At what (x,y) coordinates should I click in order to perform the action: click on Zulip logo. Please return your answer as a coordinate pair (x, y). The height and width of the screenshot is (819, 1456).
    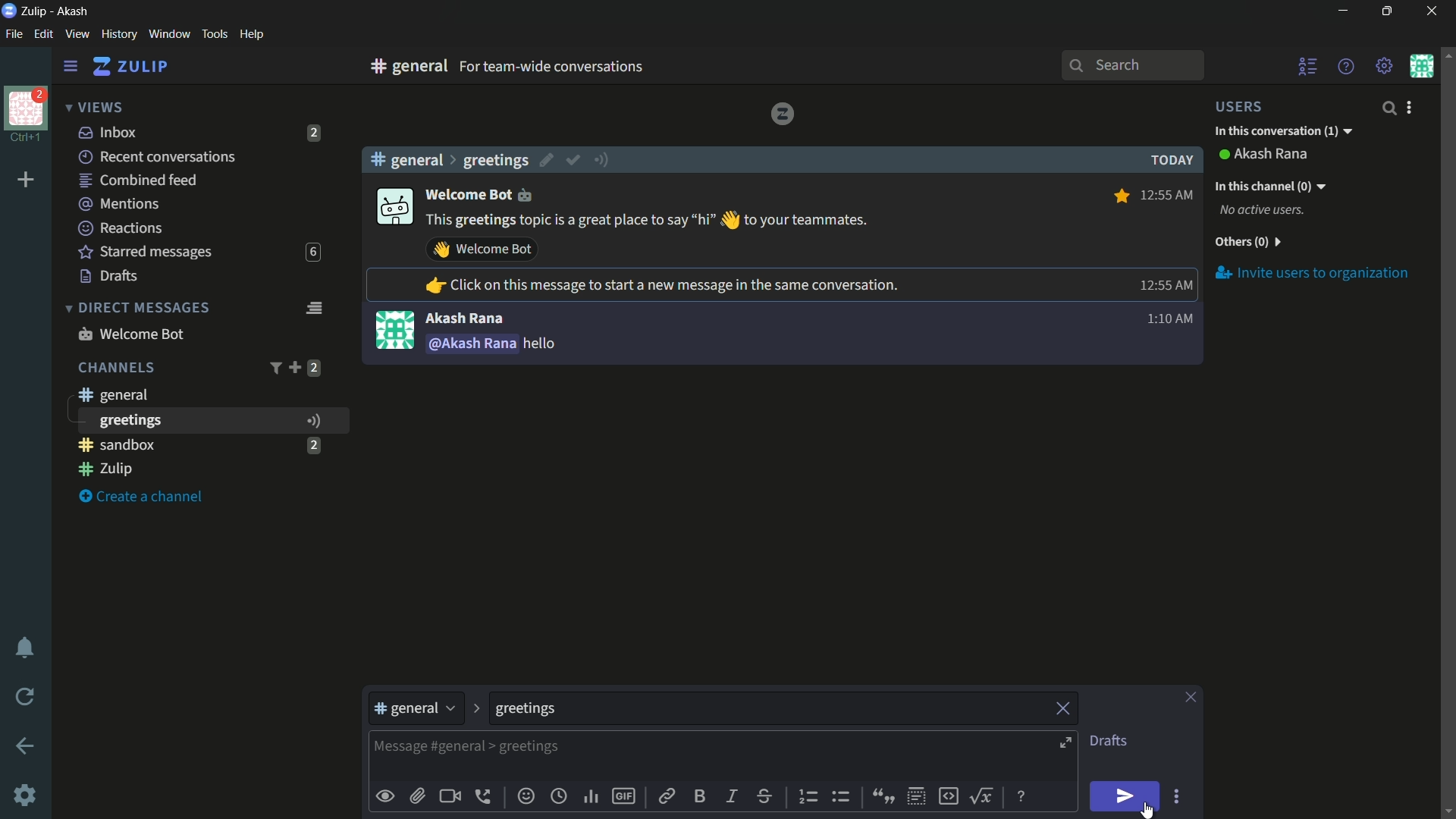
    Looking at the image, I should click on (782, 113).